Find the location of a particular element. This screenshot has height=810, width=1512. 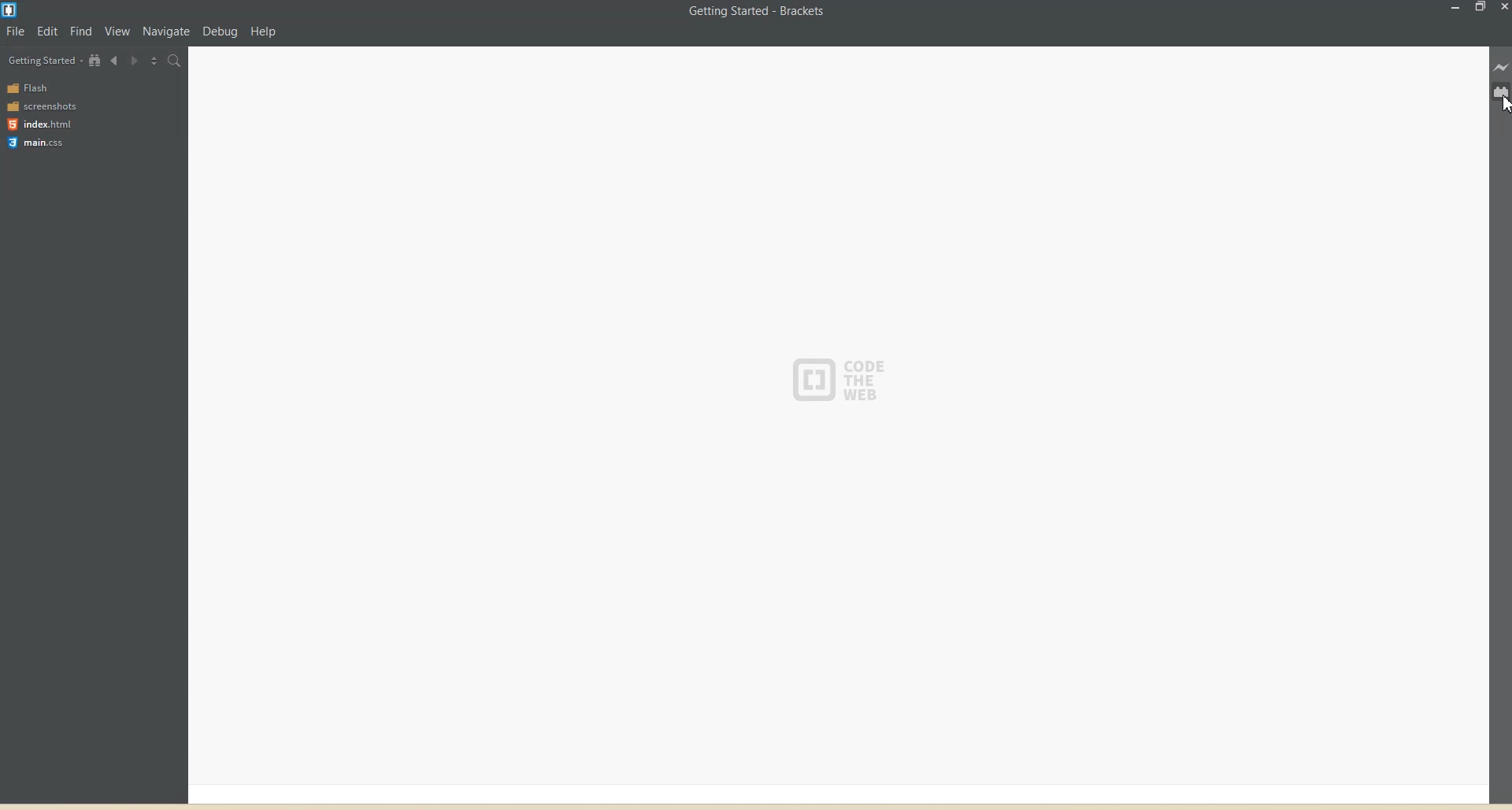

View is located at coordinates (118, 31).